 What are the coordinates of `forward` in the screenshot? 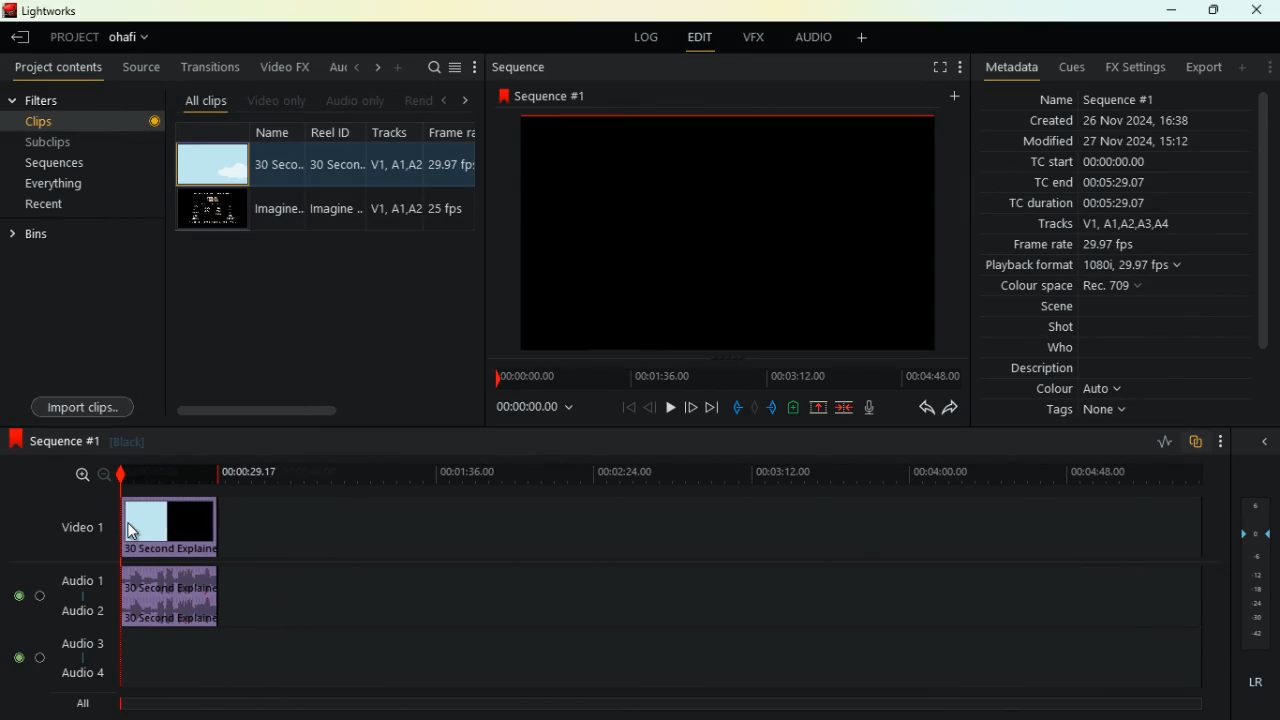 It's located at (690, 407).